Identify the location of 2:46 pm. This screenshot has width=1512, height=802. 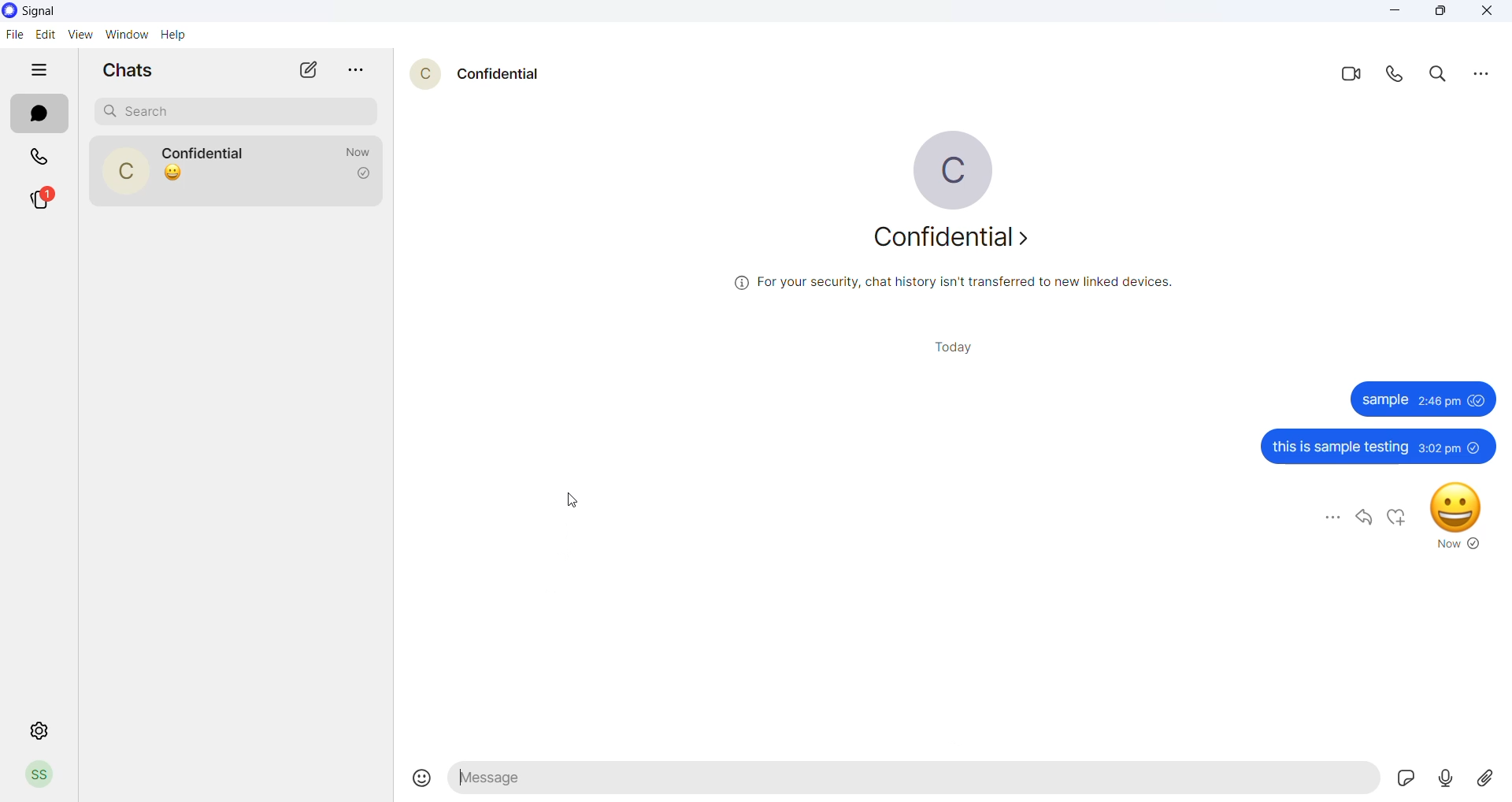
(1439, 401).